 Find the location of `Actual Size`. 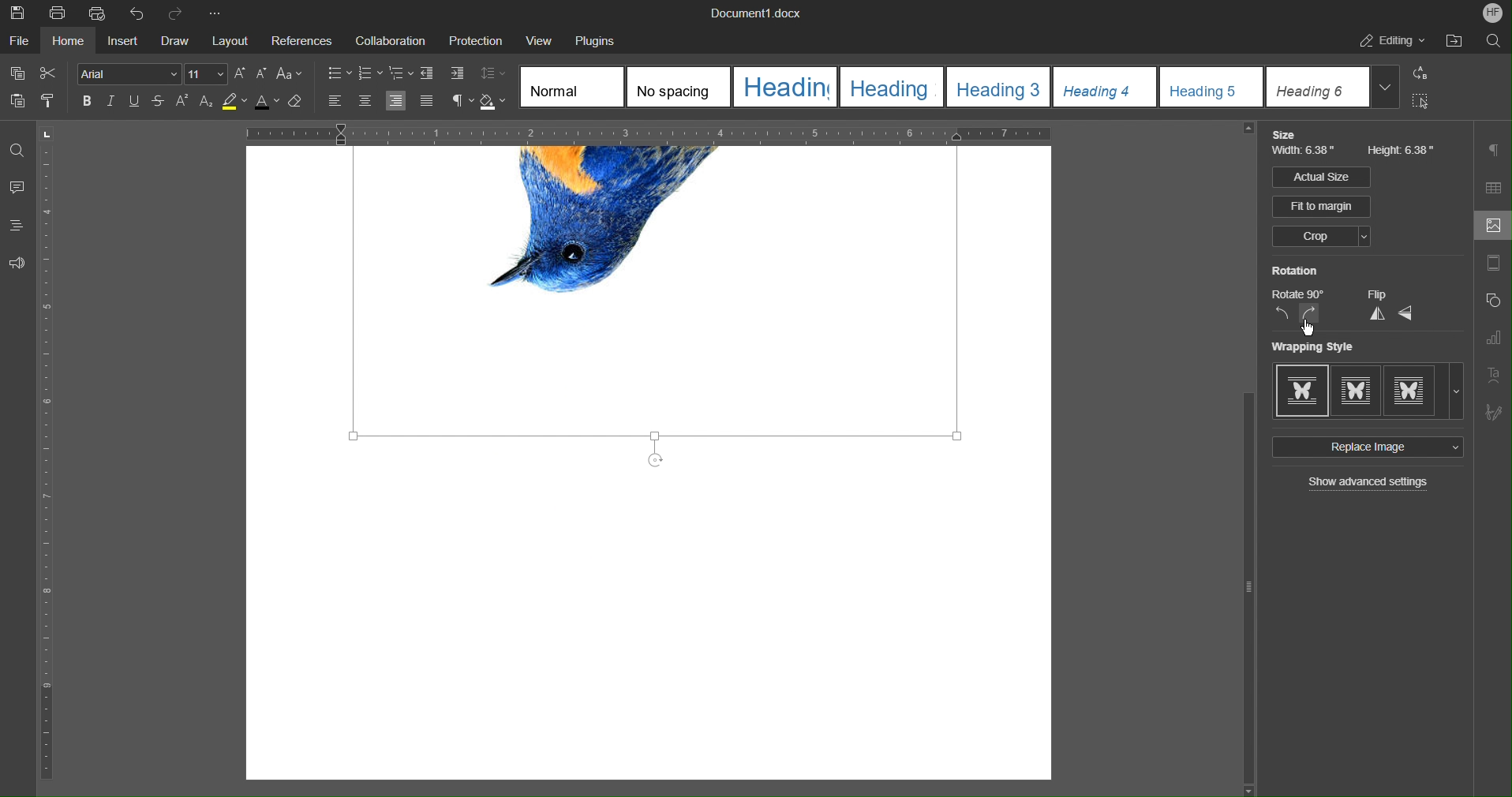

Actual Size is located at coordinates (1320, 178).